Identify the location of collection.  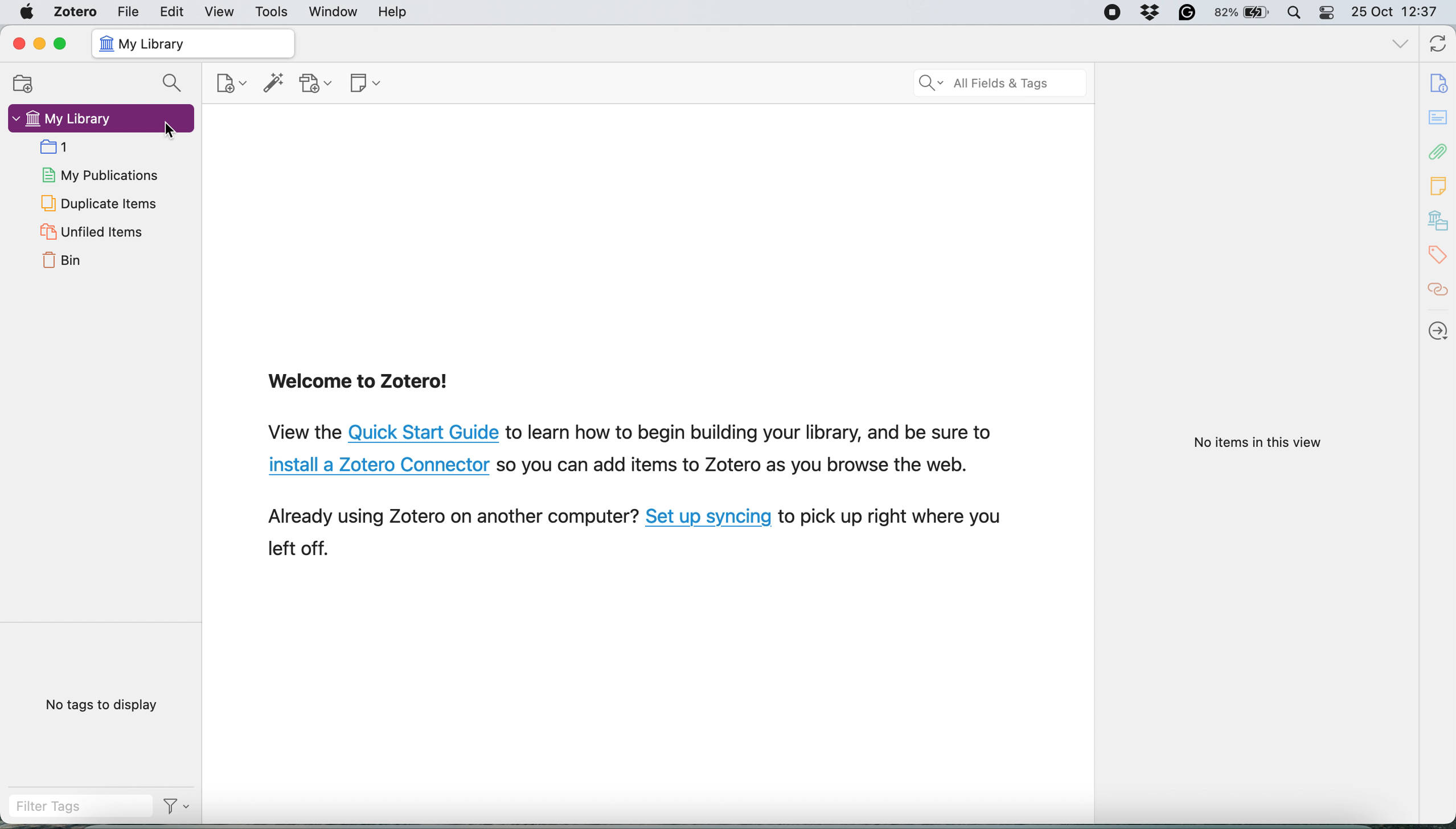
(54, 147).